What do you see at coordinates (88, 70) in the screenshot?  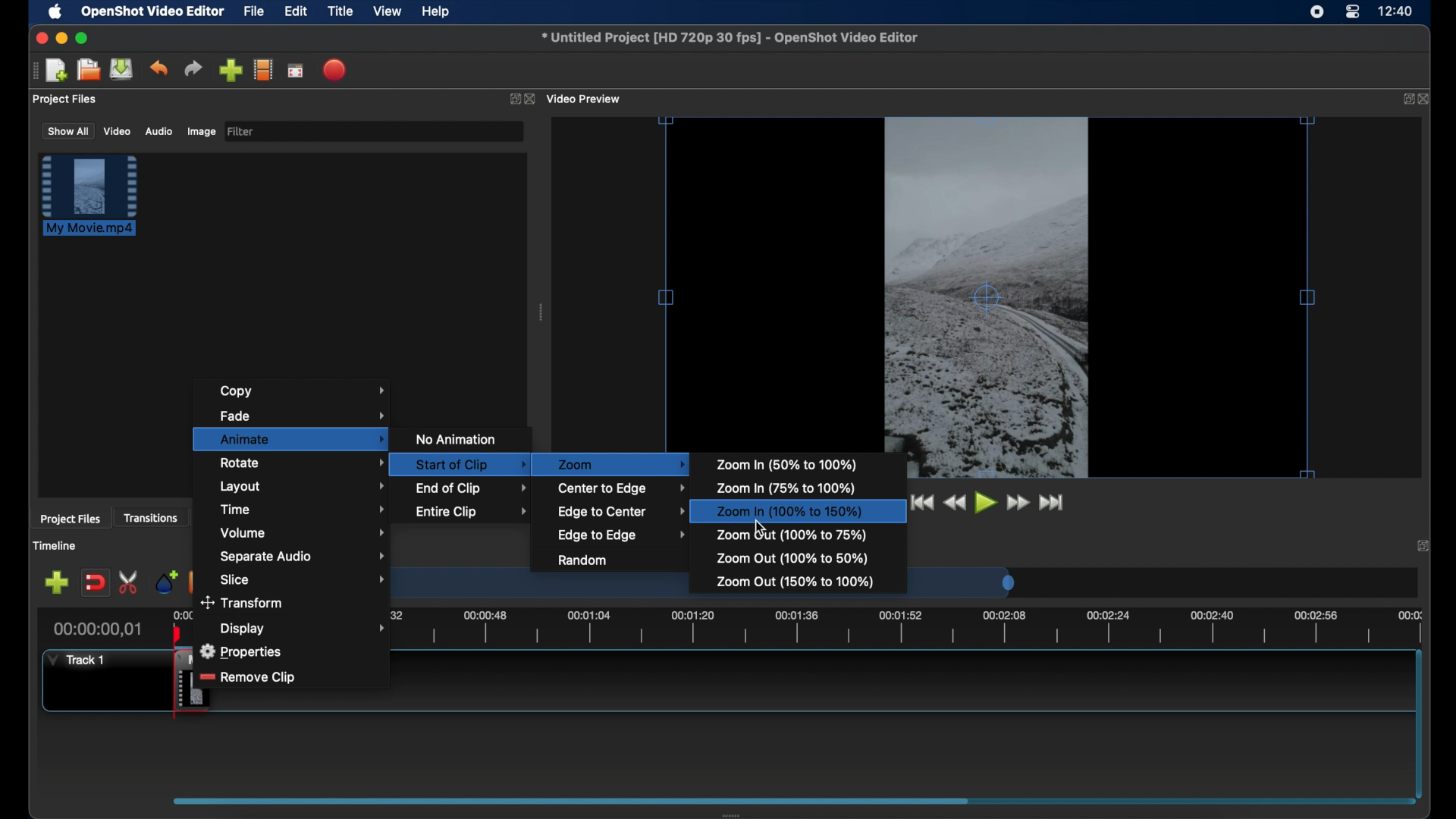 I see `open project` at bounding box center [88, 70].